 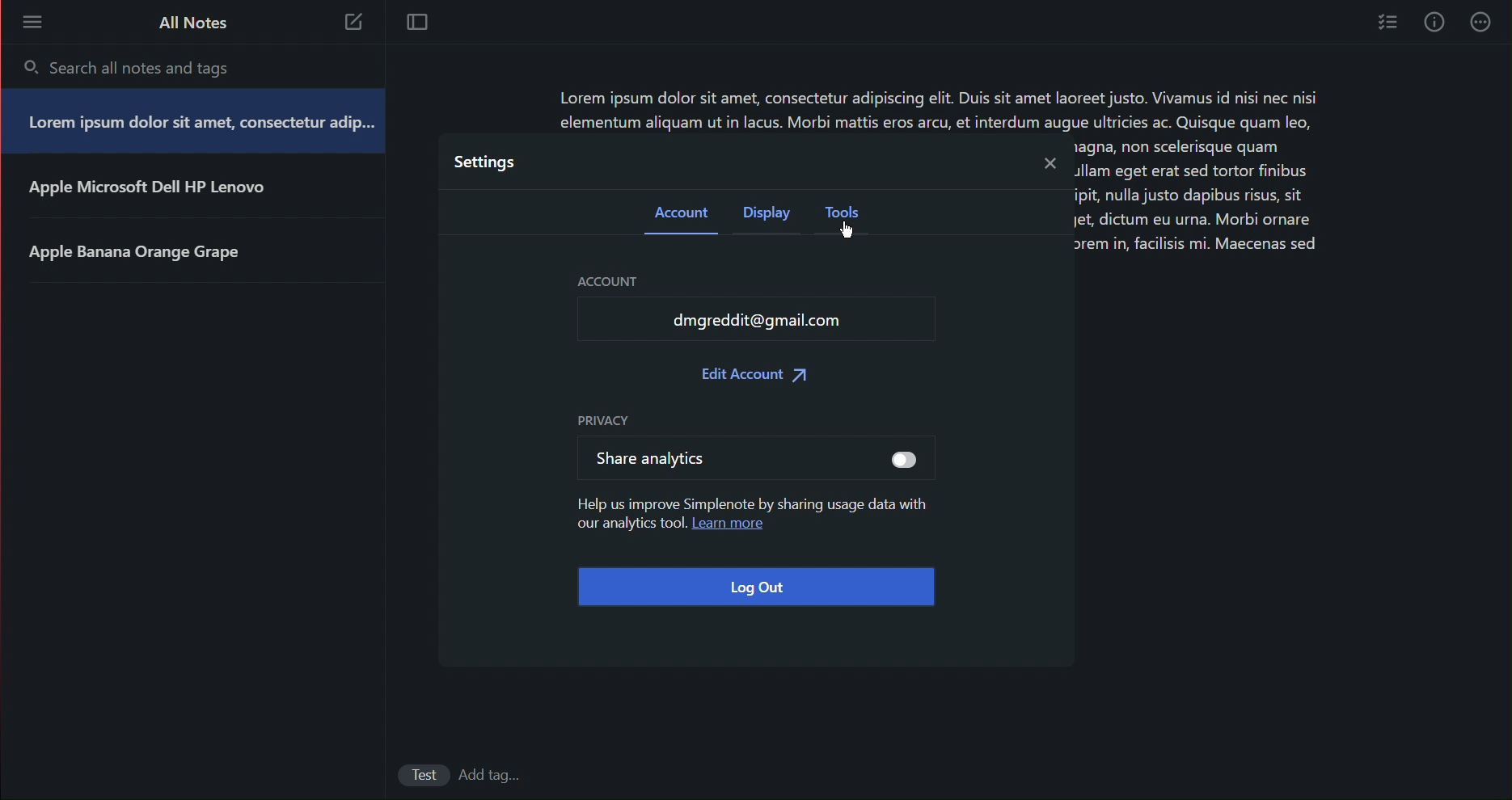 What do you see at coordinates (656, 463) in the screenshot?
I see `Share analytics` at bounding box center [656, 463].